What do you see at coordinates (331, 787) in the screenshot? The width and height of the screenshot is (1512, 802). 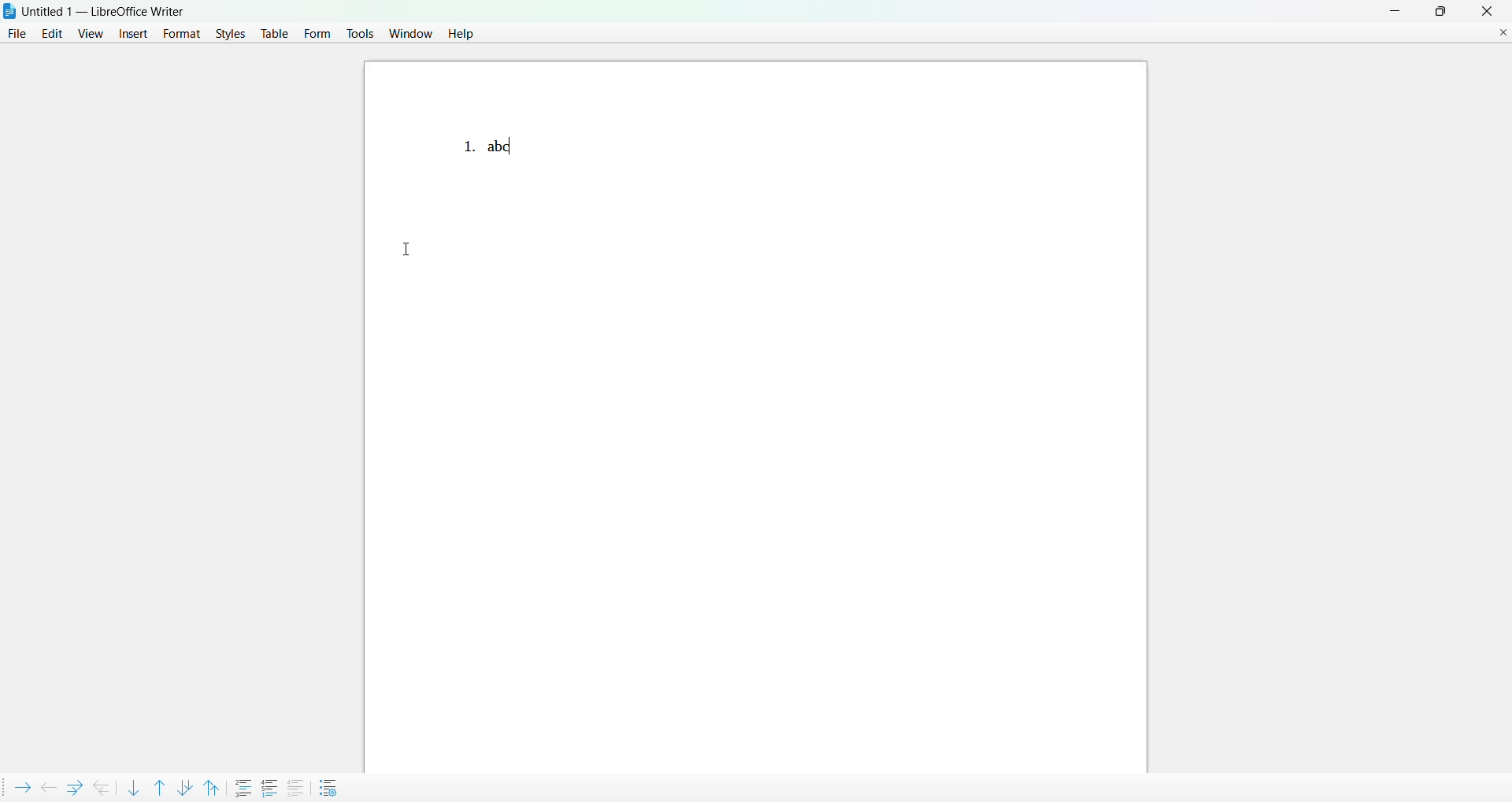 I see `bullets and numbering` at bounding box center [331, 787].